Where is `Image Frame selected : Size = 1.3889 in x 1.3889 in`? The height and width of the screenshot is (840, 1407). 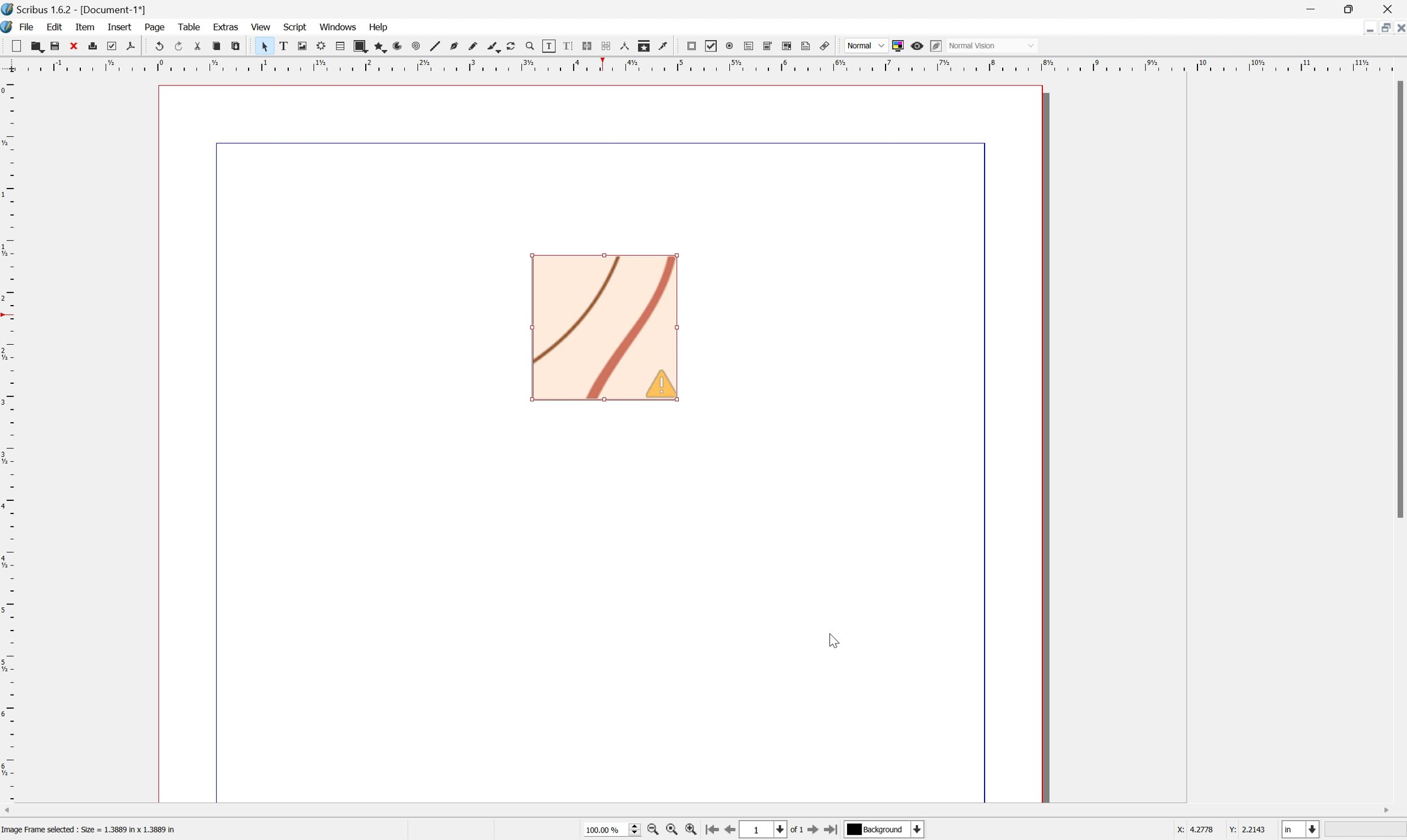
Image Frame selected : Size = 1.3889 in x 1.3889 in is located at coordinates (89, 830).